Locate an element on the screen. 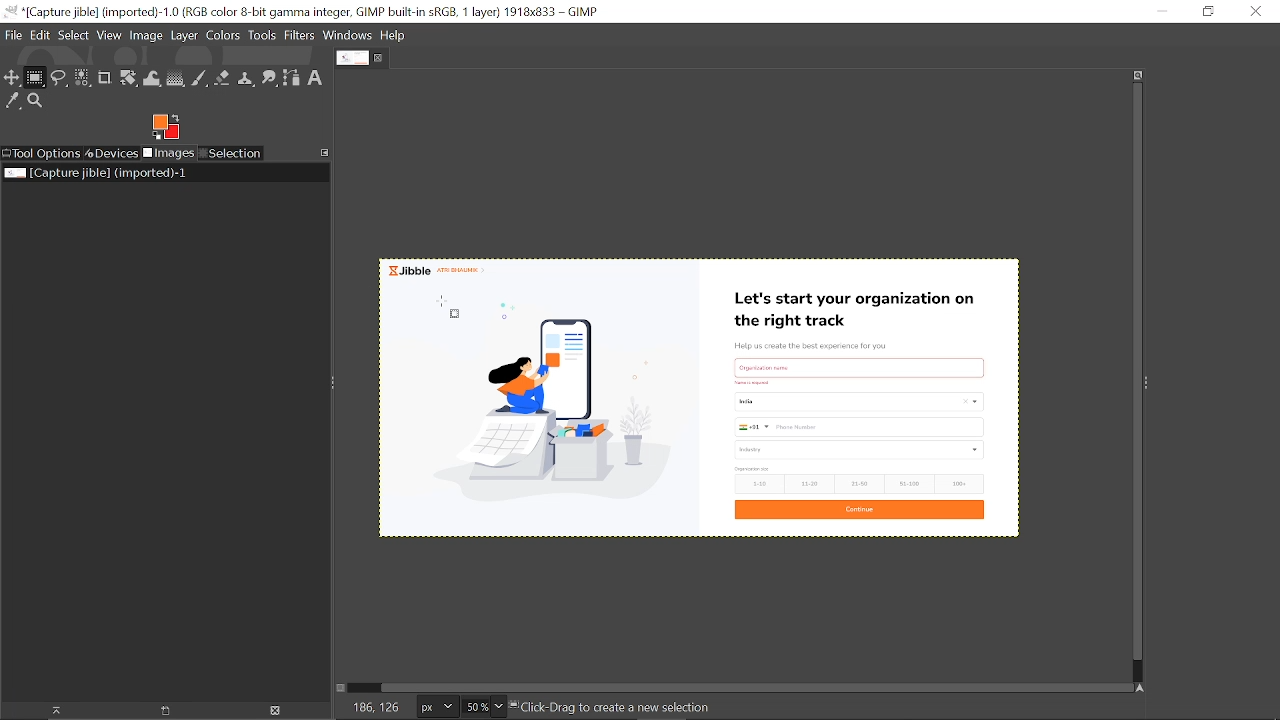  size is located at coordinates (752, 469).